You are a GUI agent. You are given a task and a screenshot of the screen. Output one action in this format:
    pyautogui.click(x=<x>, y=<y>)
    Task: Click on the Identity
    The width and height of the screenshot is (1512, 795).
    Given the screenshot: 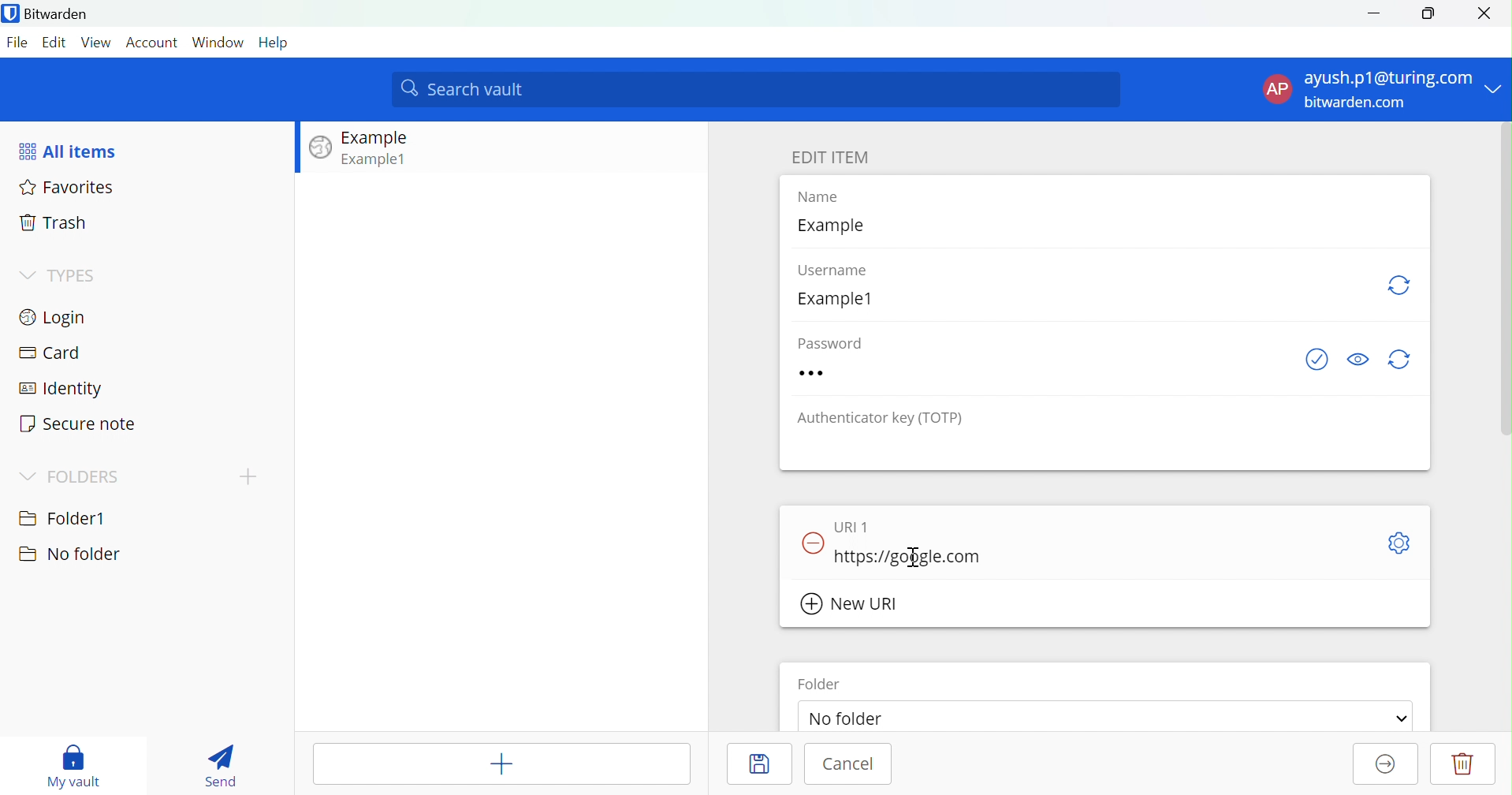 What is the action you would take?
    pyautogui.click(x=62, y=390)
    